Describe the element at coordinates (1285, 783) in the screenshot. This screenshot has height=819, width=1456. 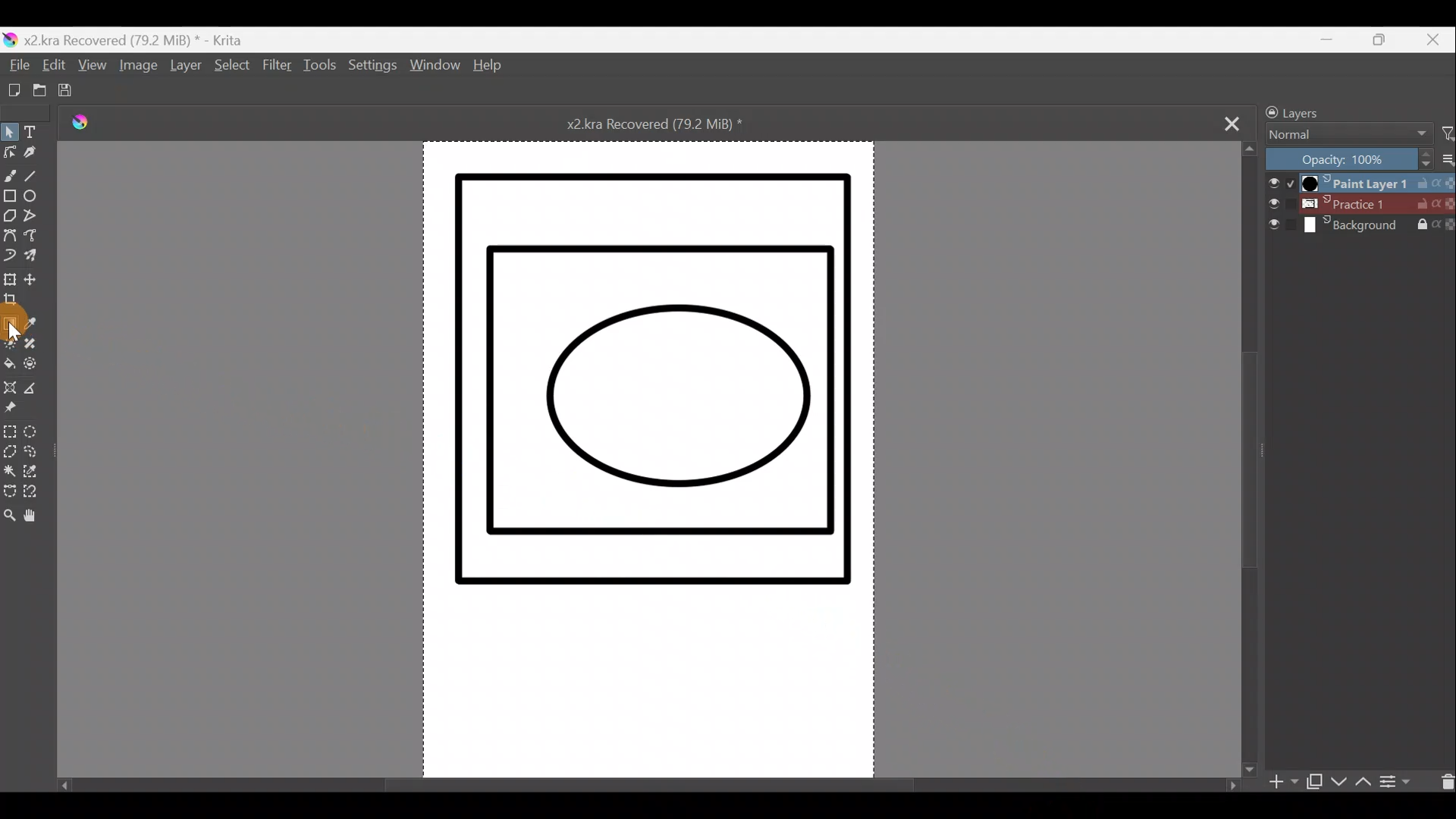
I see `Add layer/mask` at that location.